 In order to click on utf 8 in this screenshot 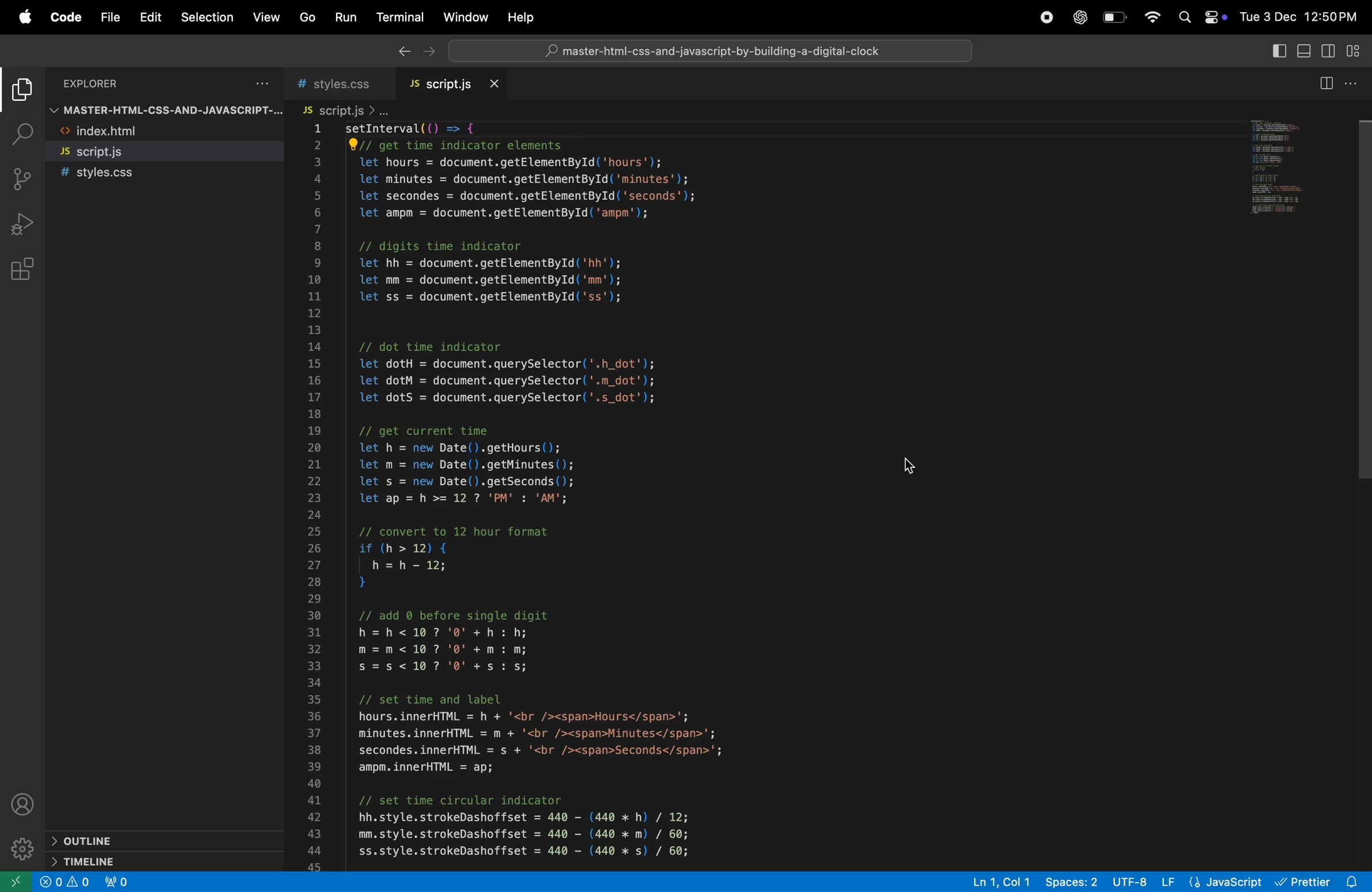, I will do `click(1132, 882)`.